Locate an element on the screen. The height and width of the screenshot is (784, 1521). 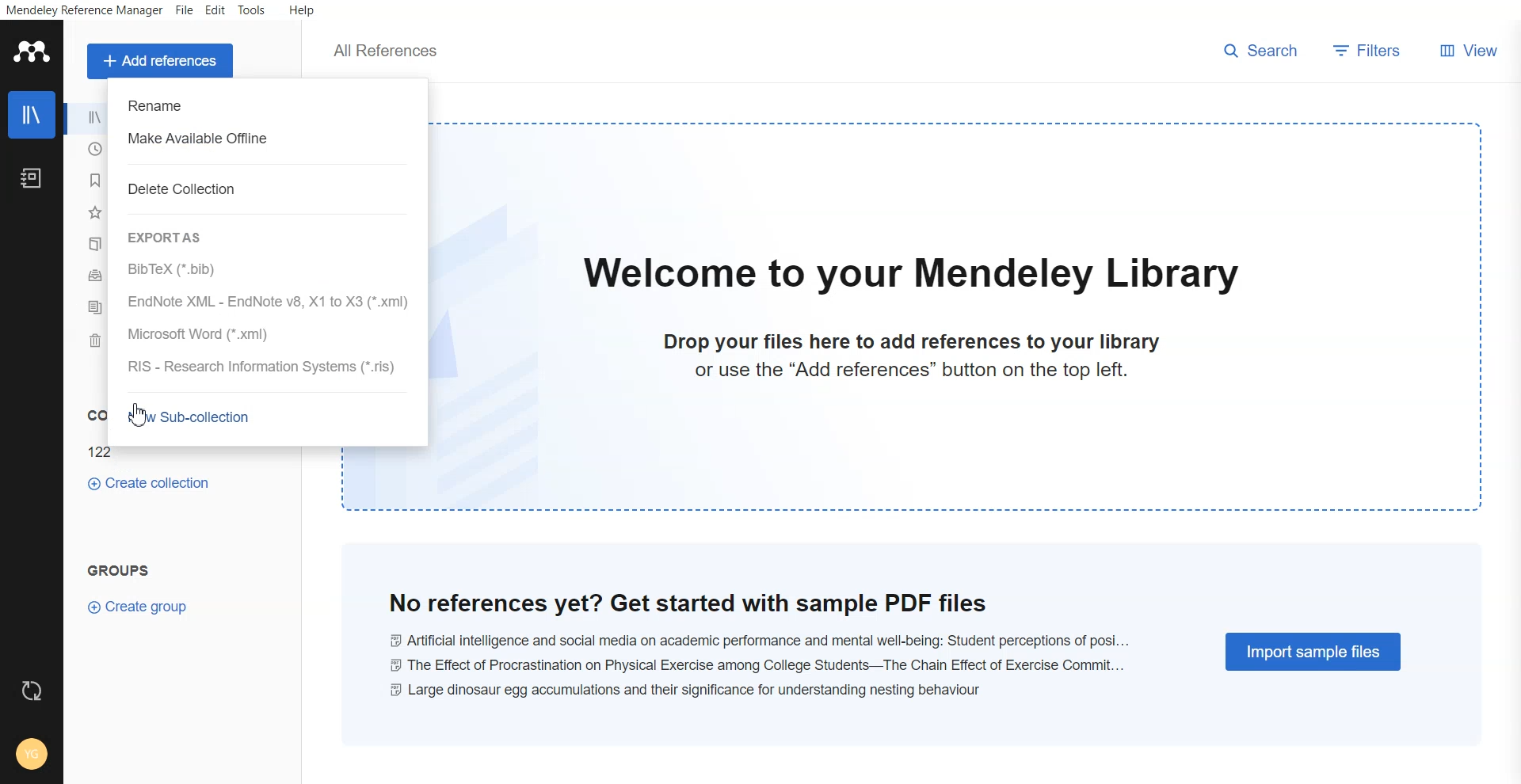
or use the "Add references" button on the top left. is located at coordinates (915, 371).